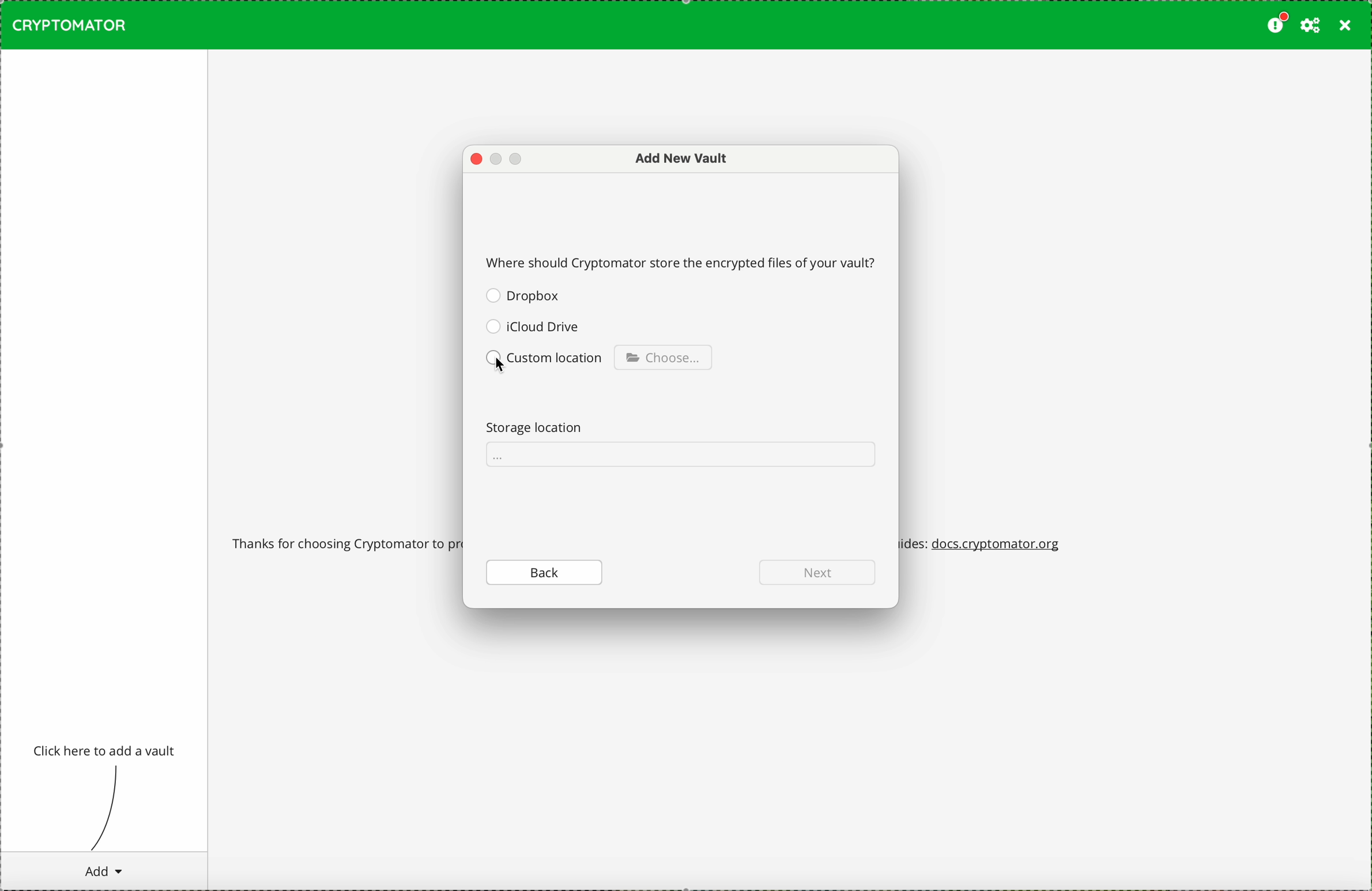  Describe the element at coordinates (683, 261) in the screenshot. I see `question` at that location.